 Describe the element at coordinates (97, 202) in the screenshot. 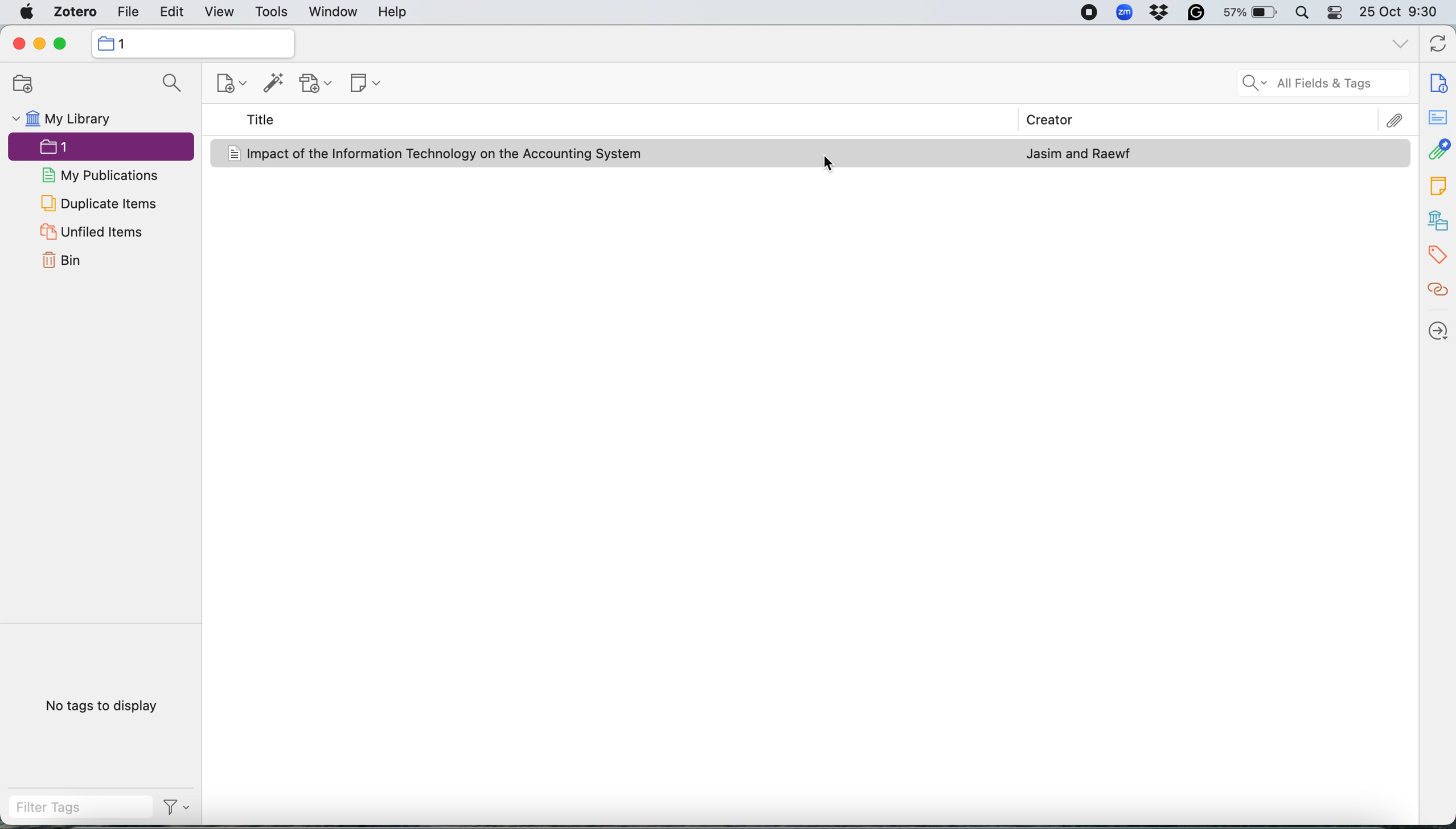

I see `duplicate items` at that location.